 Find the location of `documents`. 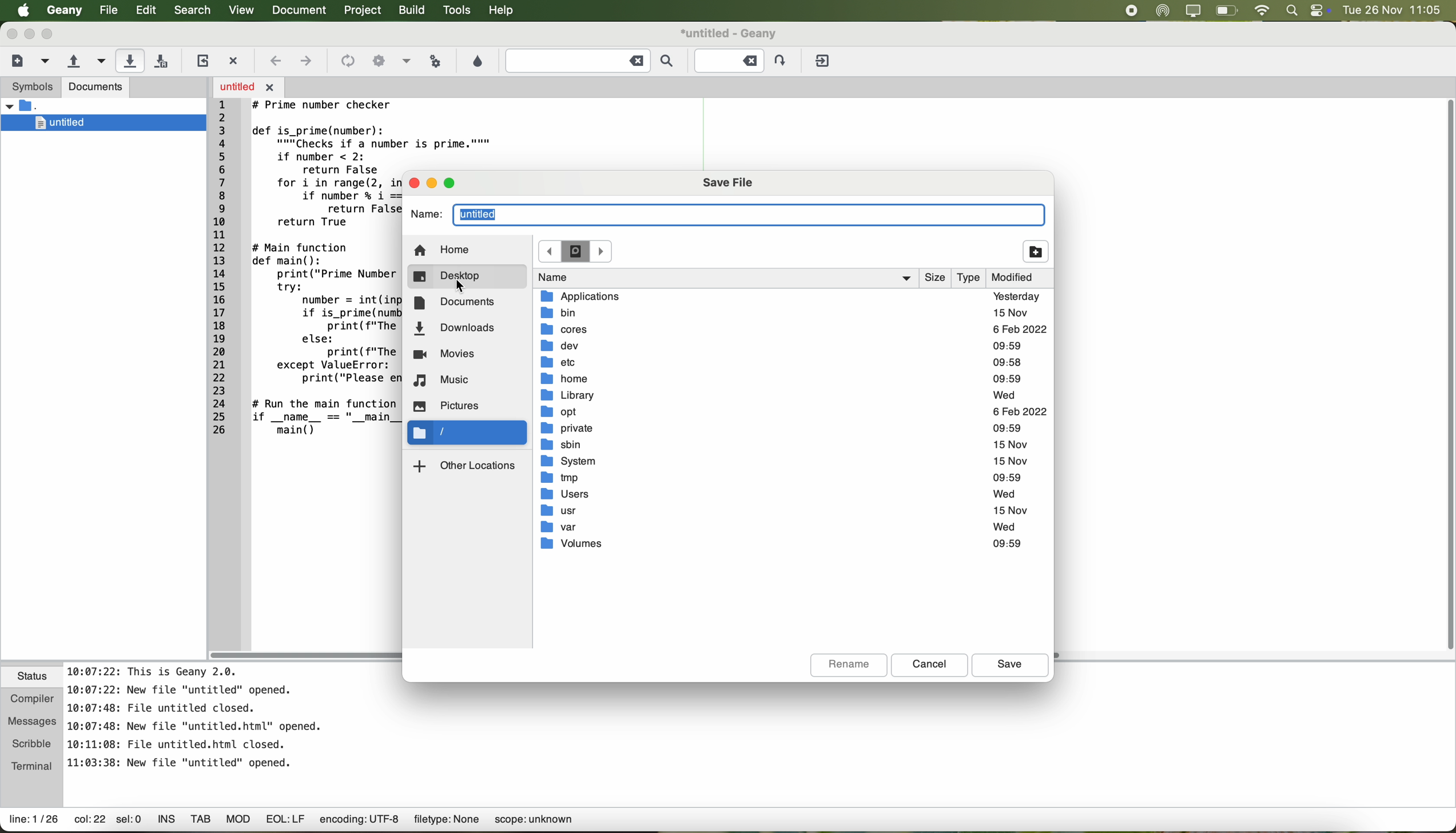

documents is located at coordinates (97, 88).